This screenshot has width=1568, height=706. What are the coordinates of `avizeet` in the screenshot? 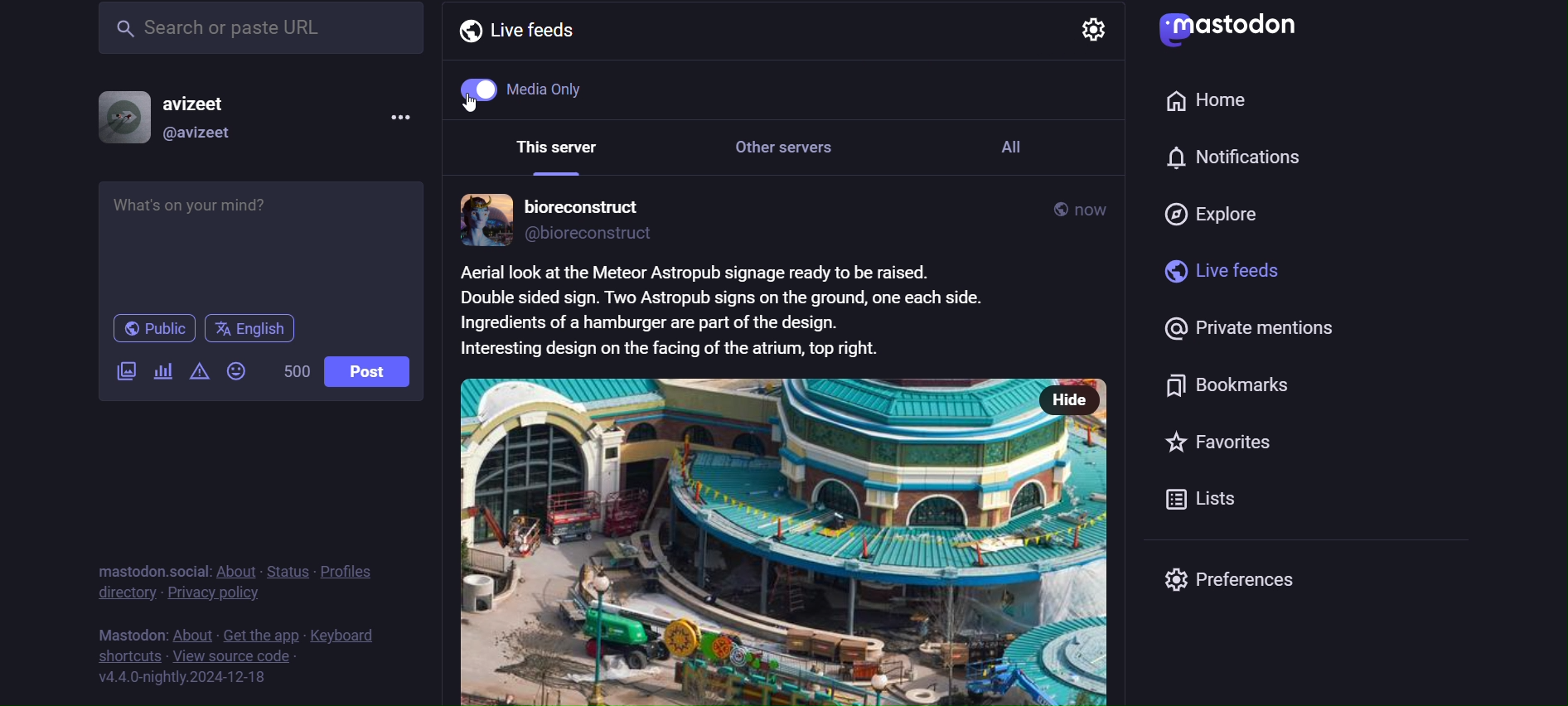 It's located at (195, 103).